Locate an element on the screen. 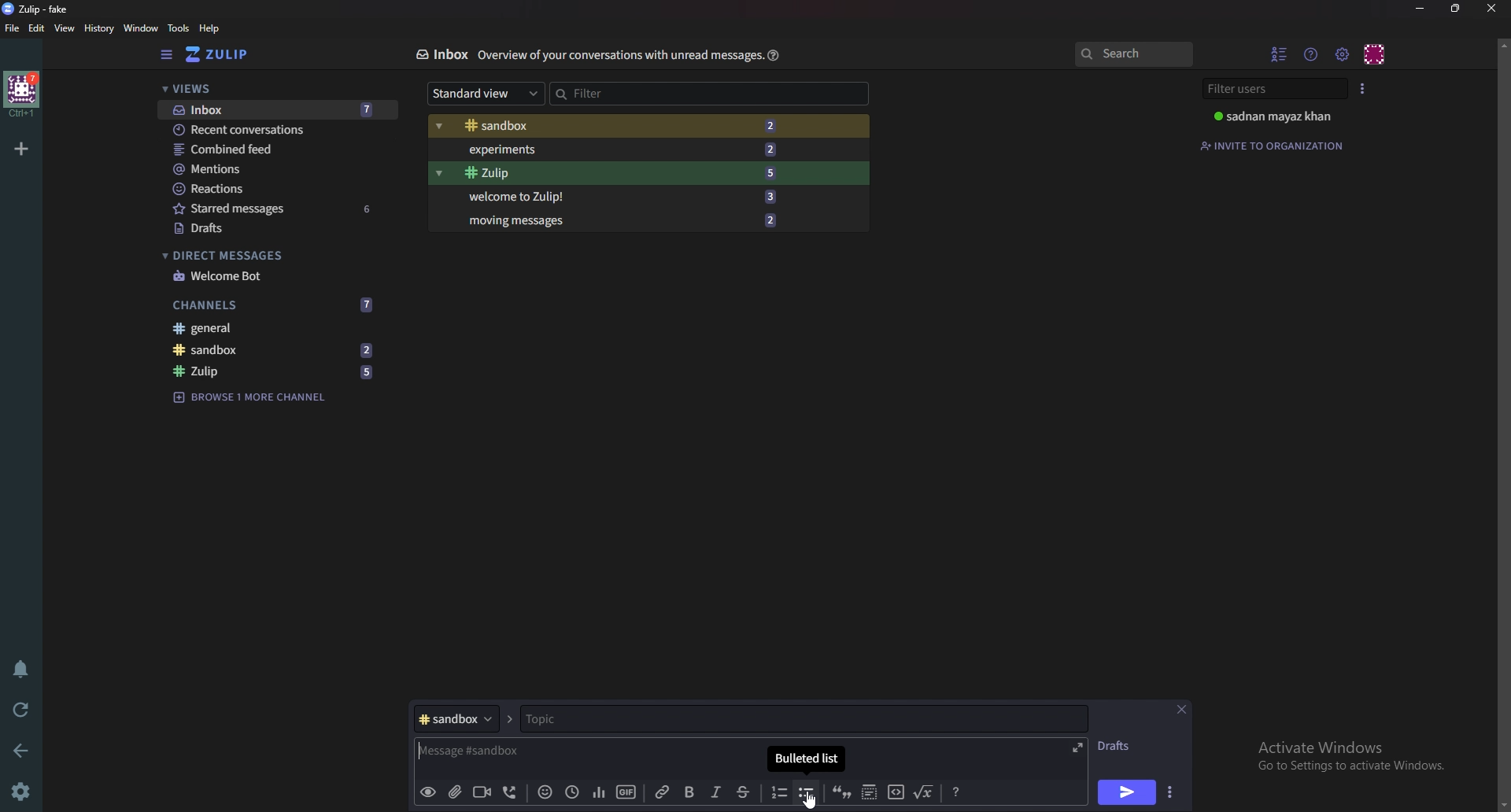  View is located at coordinates (65, 29).